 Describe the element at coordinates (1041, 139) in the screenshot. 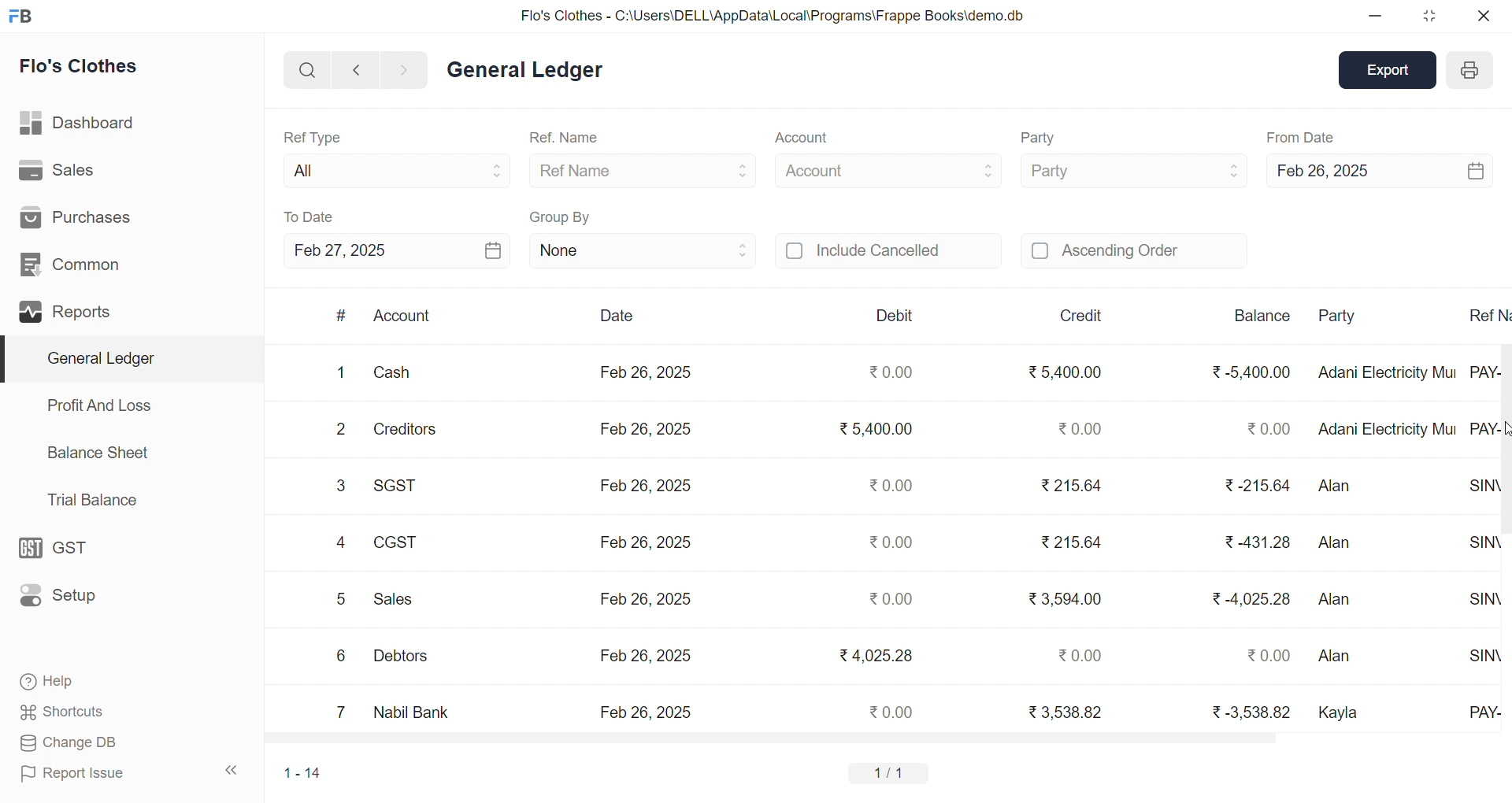

I see `Party` at that location.